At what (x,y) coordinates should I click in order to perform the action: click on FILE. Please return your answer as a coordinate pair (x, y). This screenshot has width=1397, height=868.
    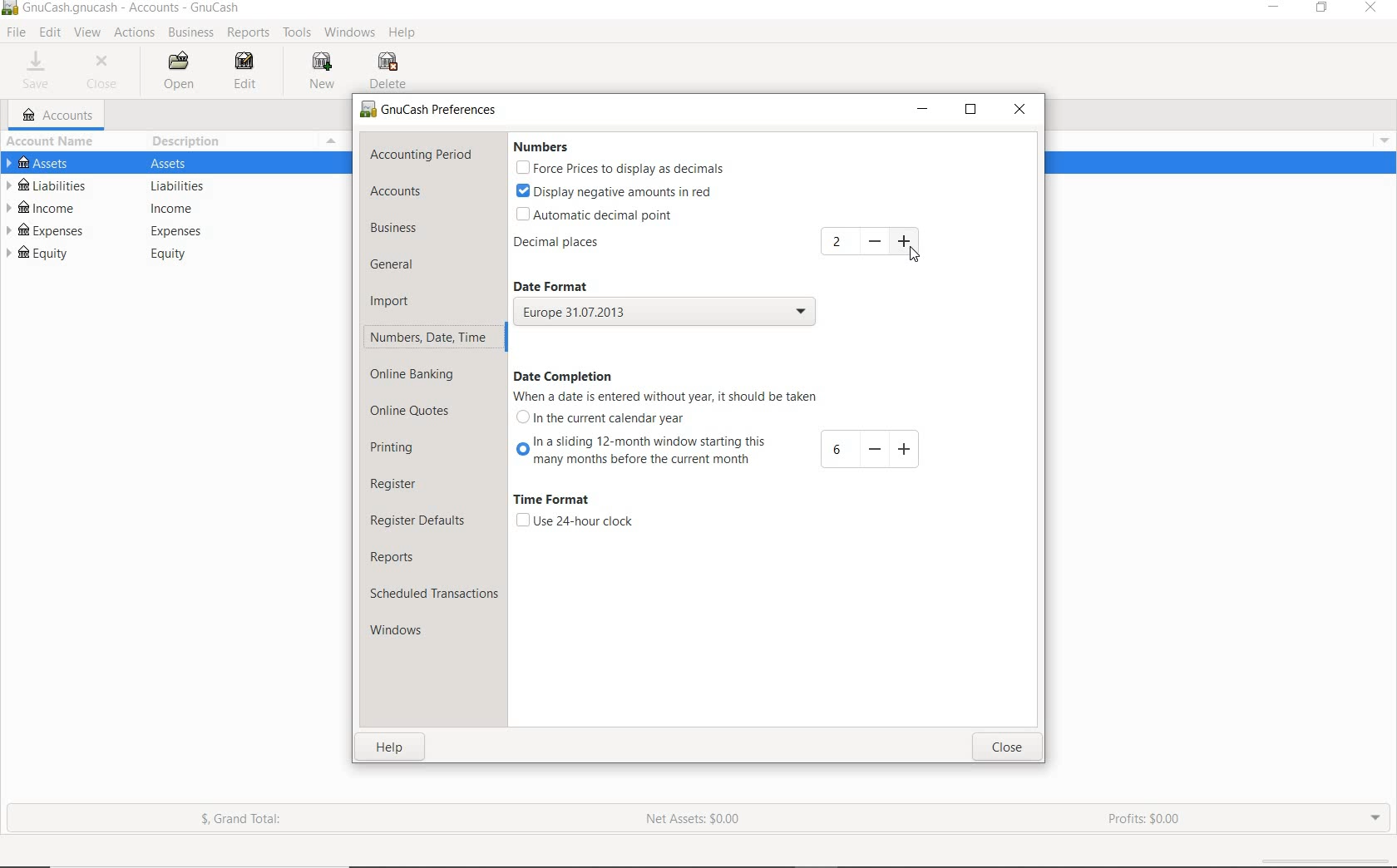
    Looking at the image, I should click on (15, 33).